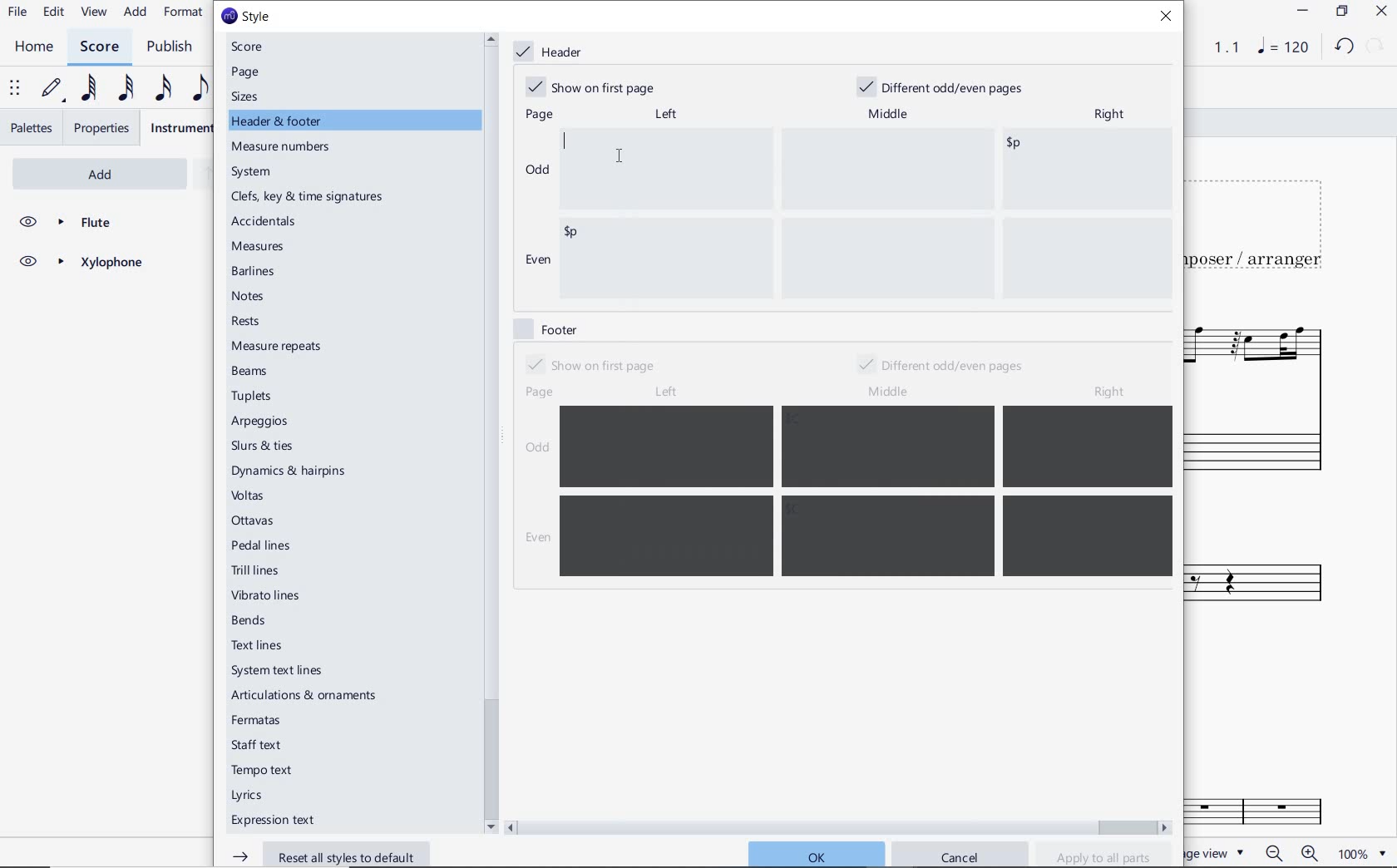 This screenshot has height=868, width=1397. I want to click on 64TH NOTE, so click(86, 89).